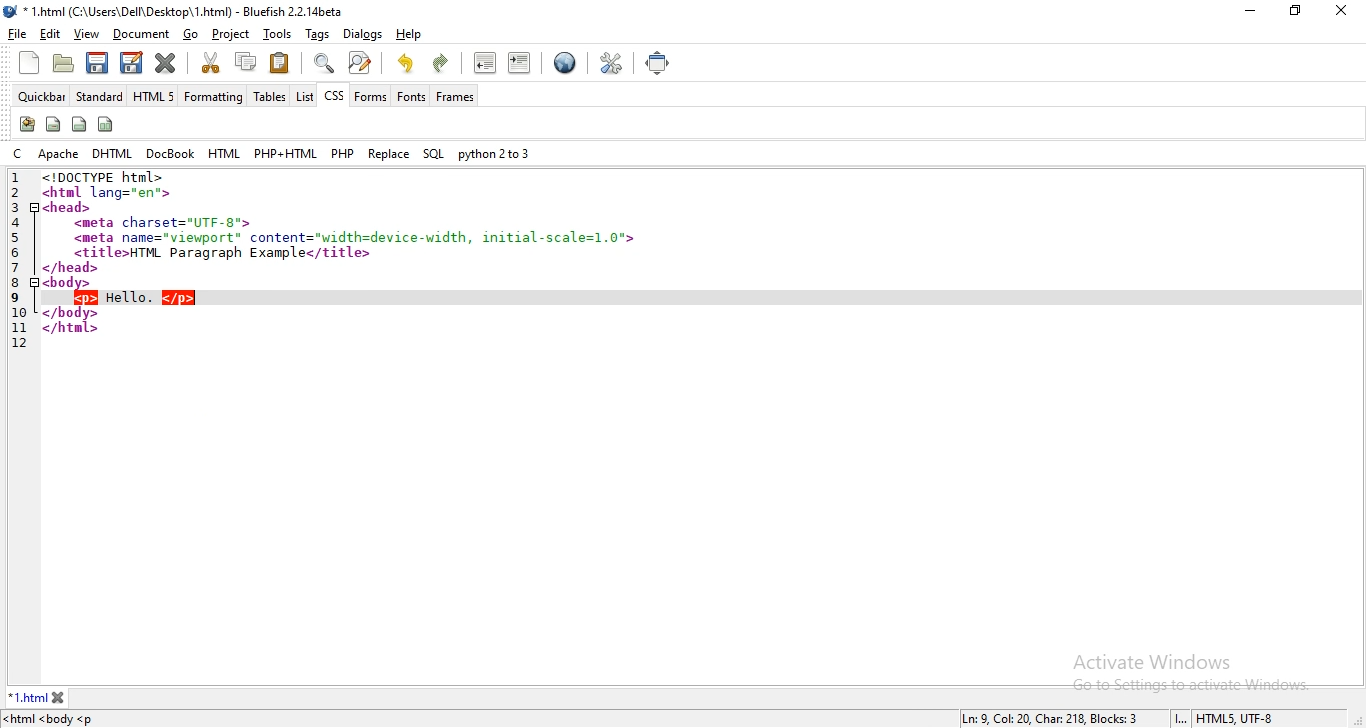 This screenshot has width=1366, height=728. Describe the element at coordinates (135, 298) in the screenshot. I see `added "<p> Hello. </p>"` at that location.